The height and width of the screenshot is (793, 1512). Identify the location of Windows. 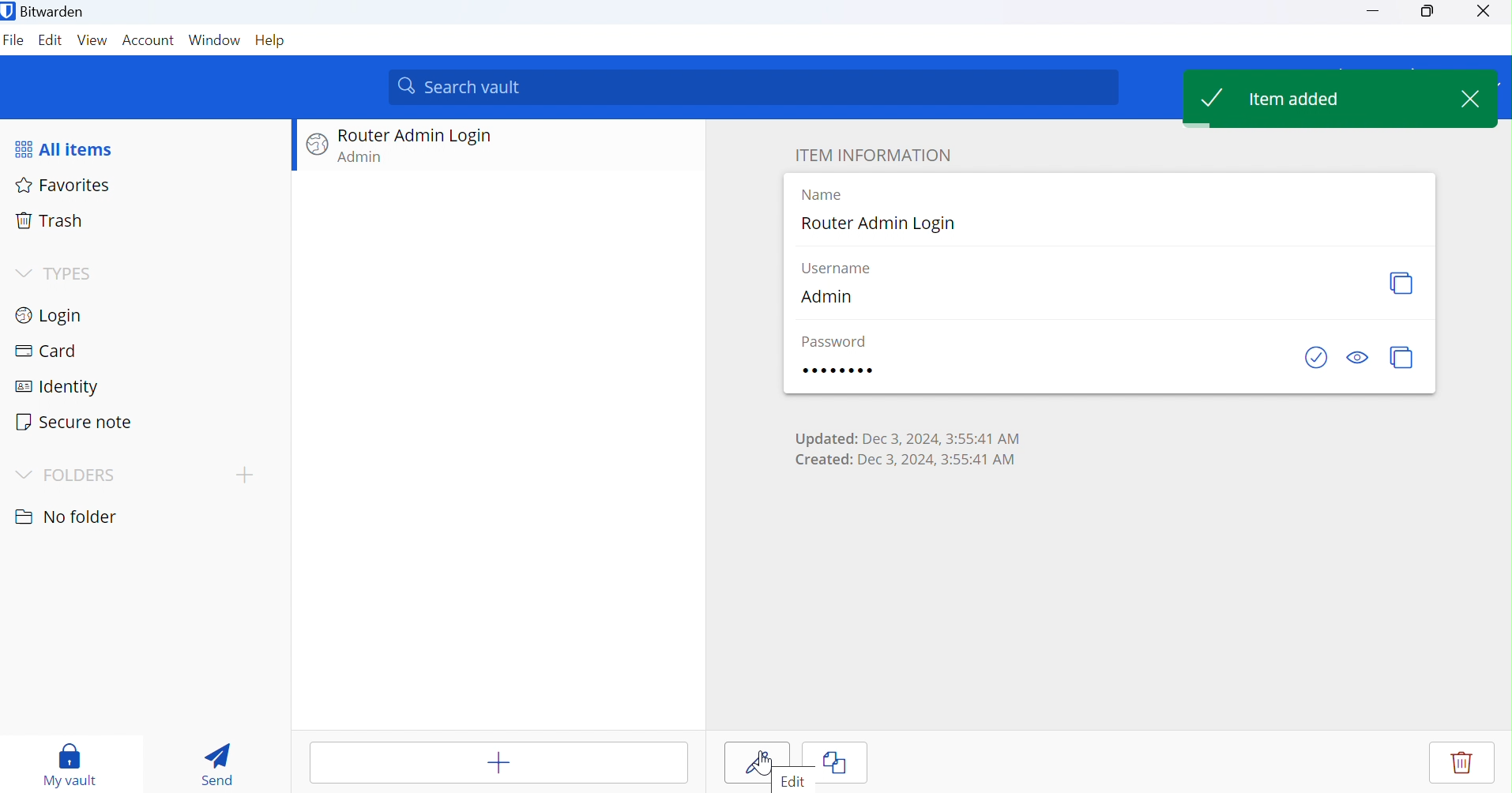
(215, 43).